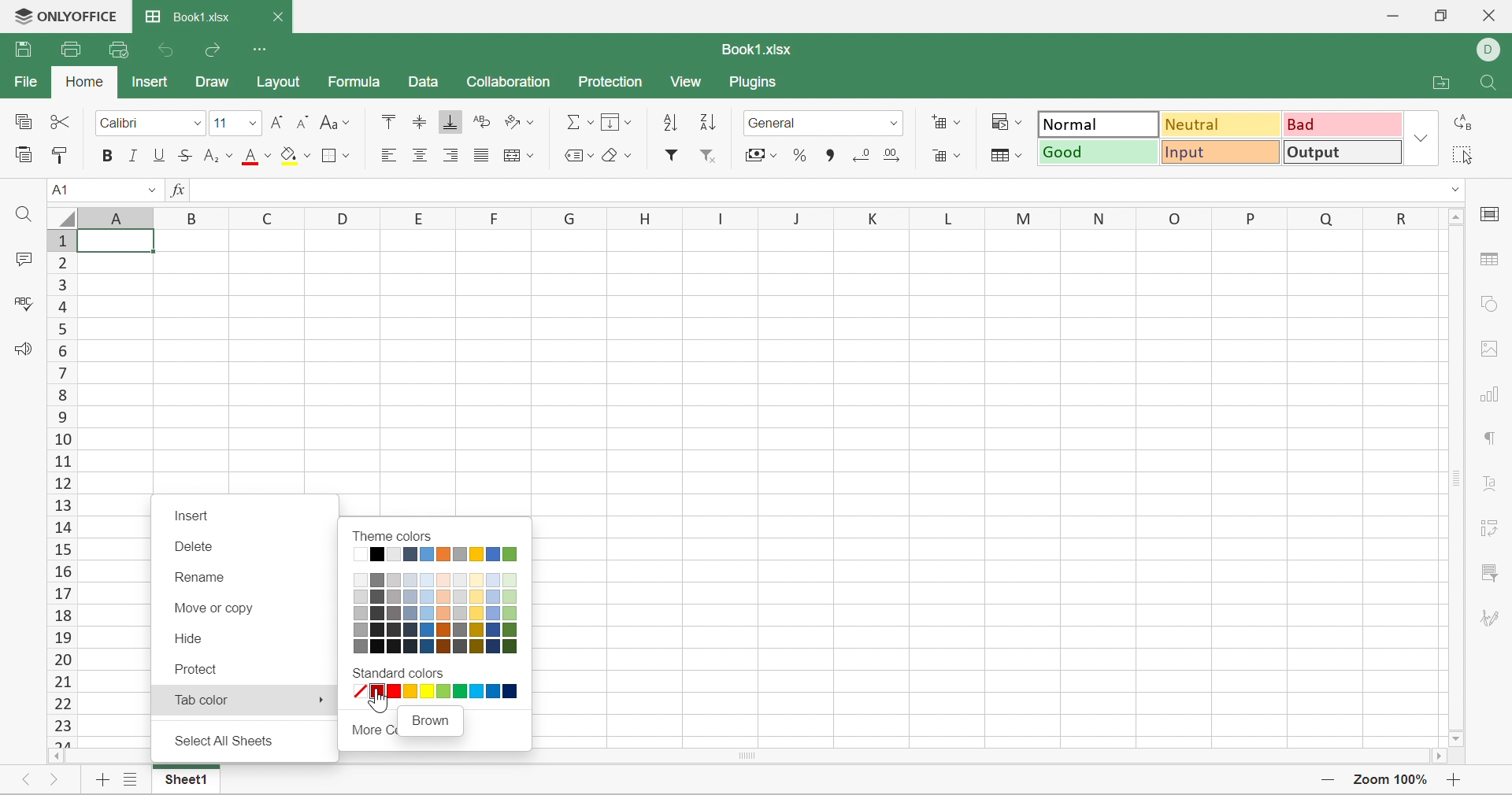  What do you see at coordinates (215, 54) in the screenshot?
I see `Redo` at bounding box center [215, 54].